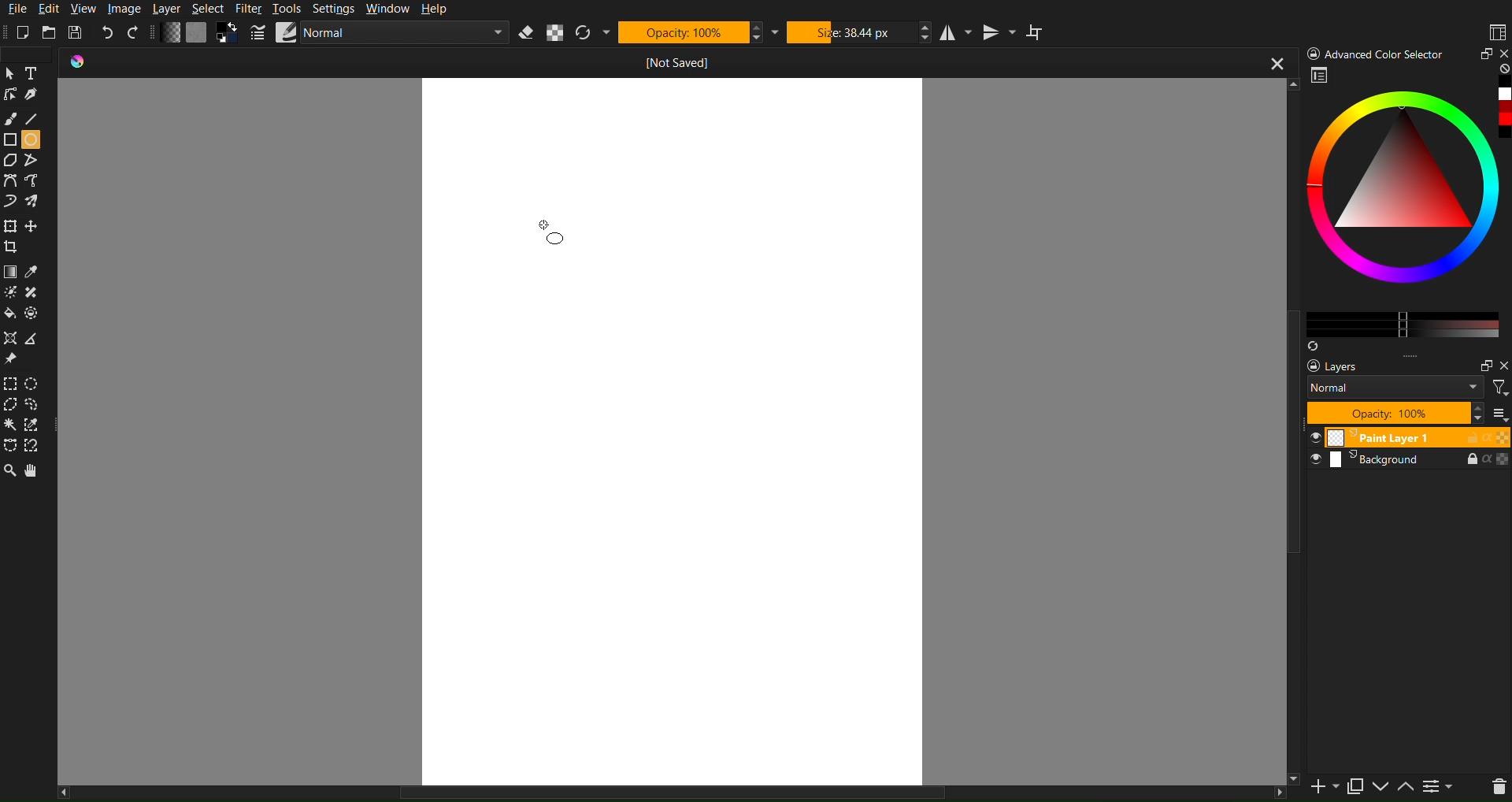 This screenshot has height=802, width=1512. What do you see at coordinates (1482, 366) in the screenshot?
I see `maximize` at bounding box center [1482, 366].